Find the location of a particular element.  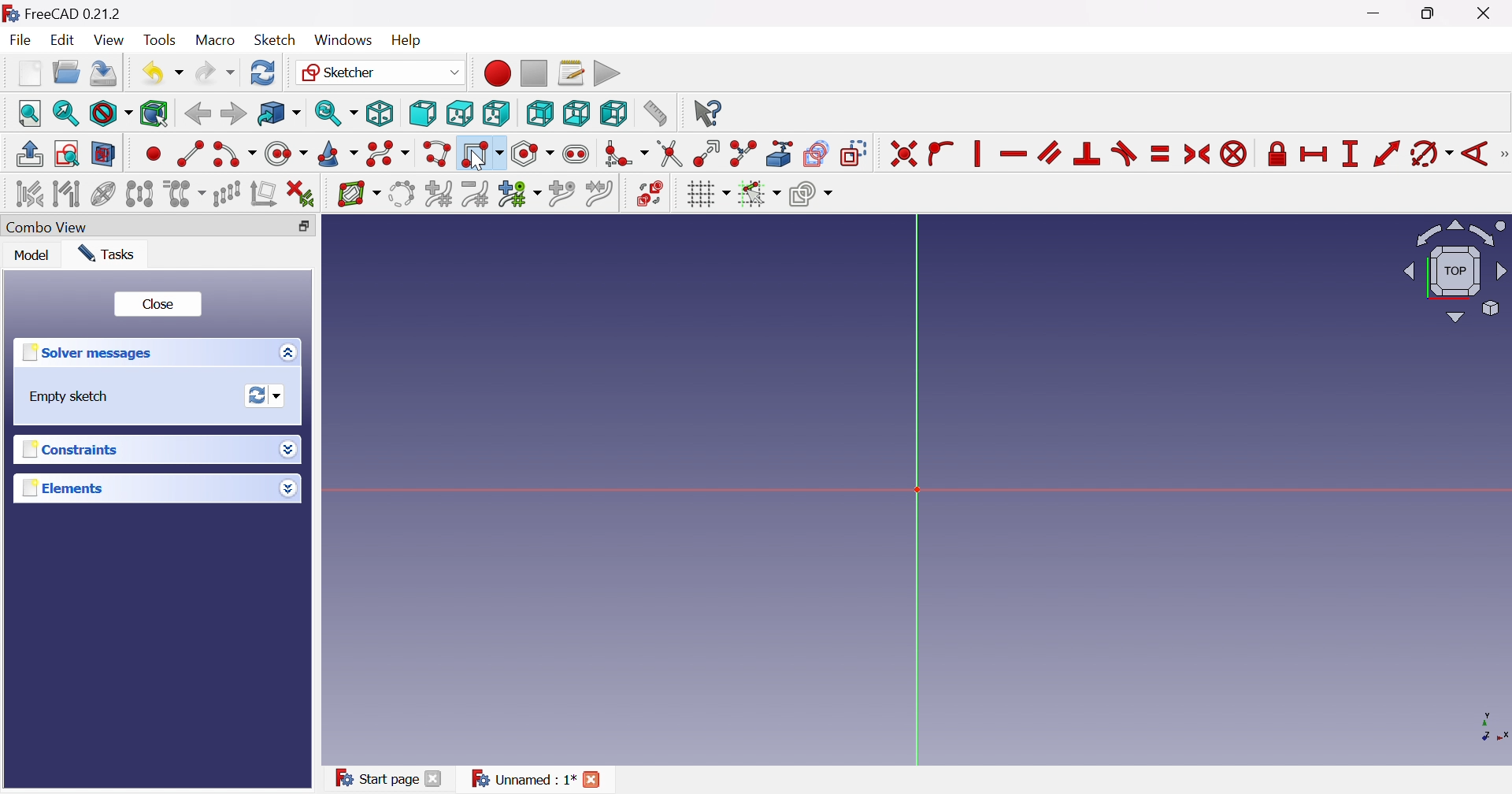

Refresh is located at coordinates (265, 72).